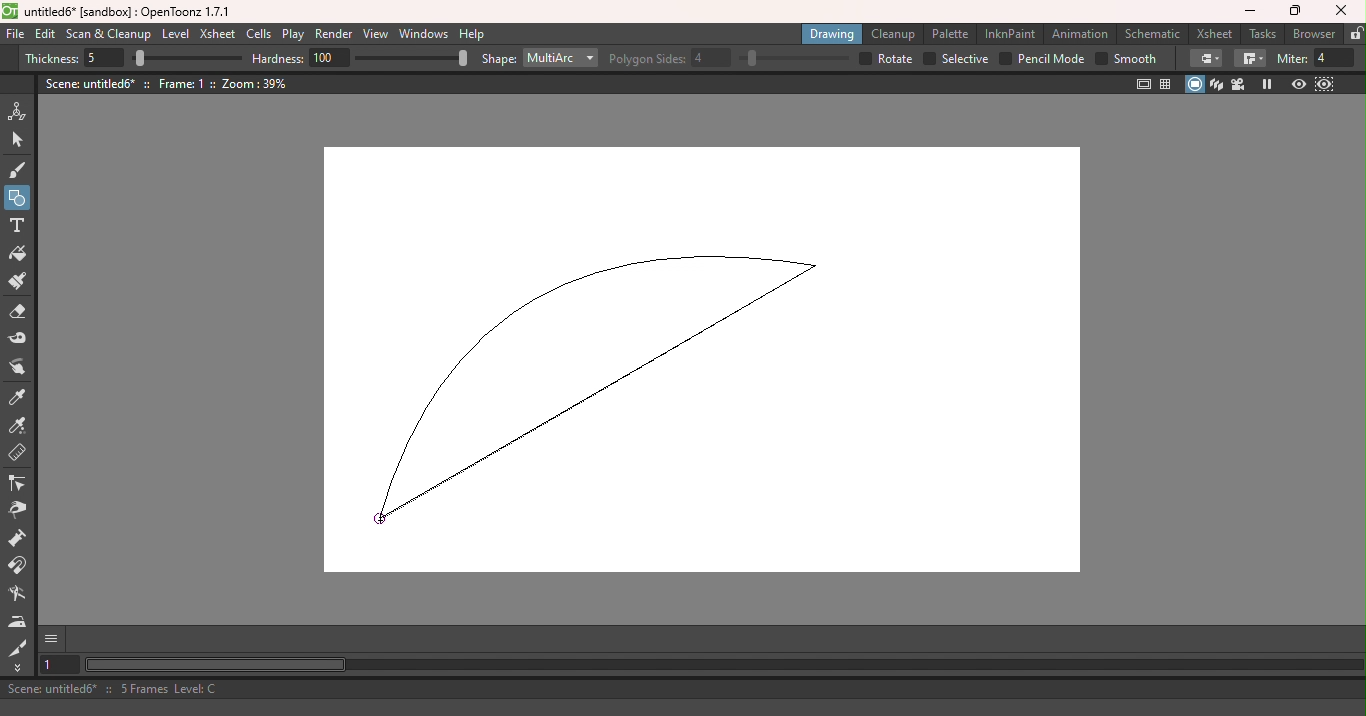 The height and width of the screenshot is (716, 1366). Describe the element at coordinates (19, 226) in the screenshot. I see `Type tool` at that location.